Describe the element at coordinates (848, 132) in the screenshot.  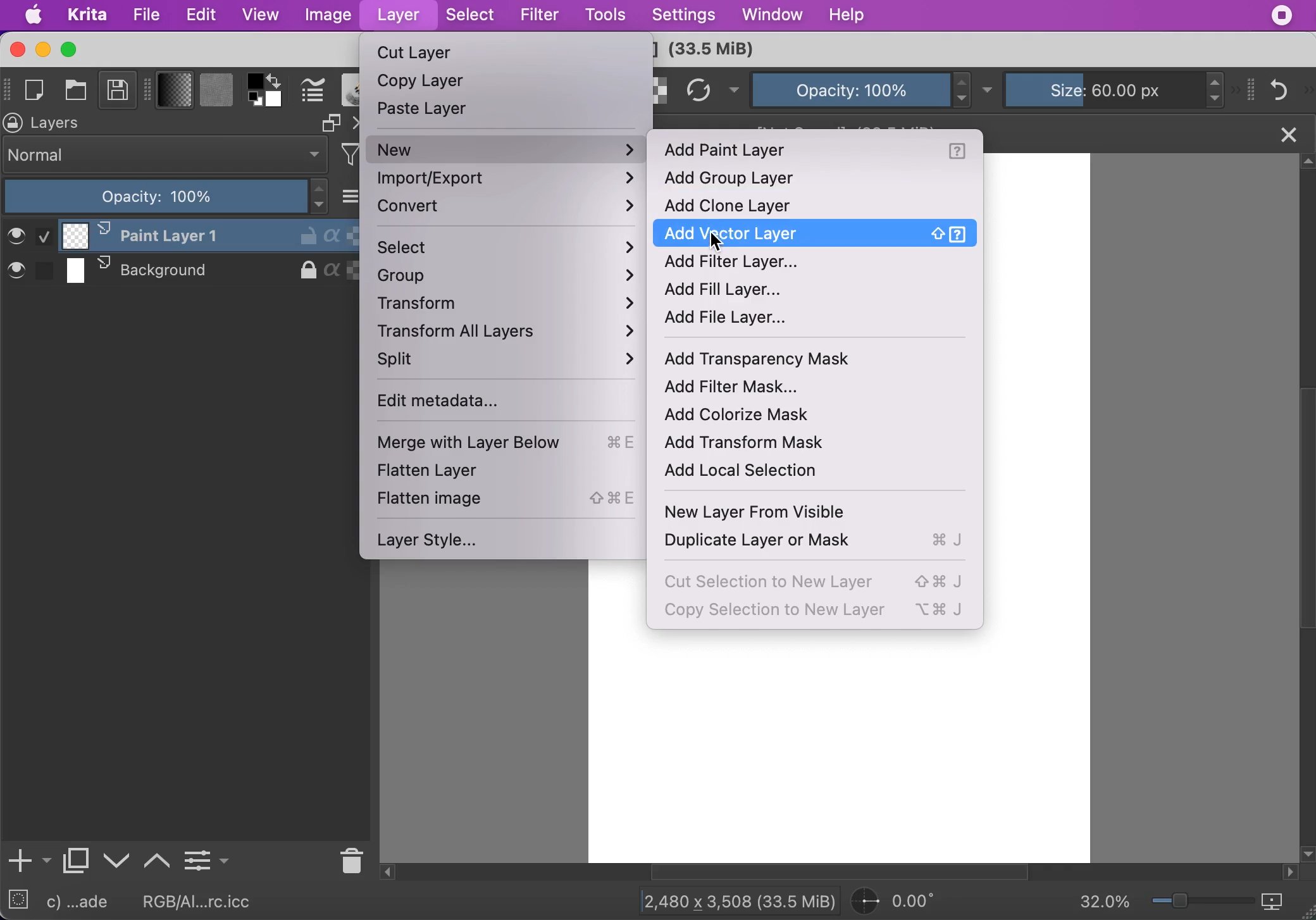
I see `[not saved] (33.5 MiB)` at that location.